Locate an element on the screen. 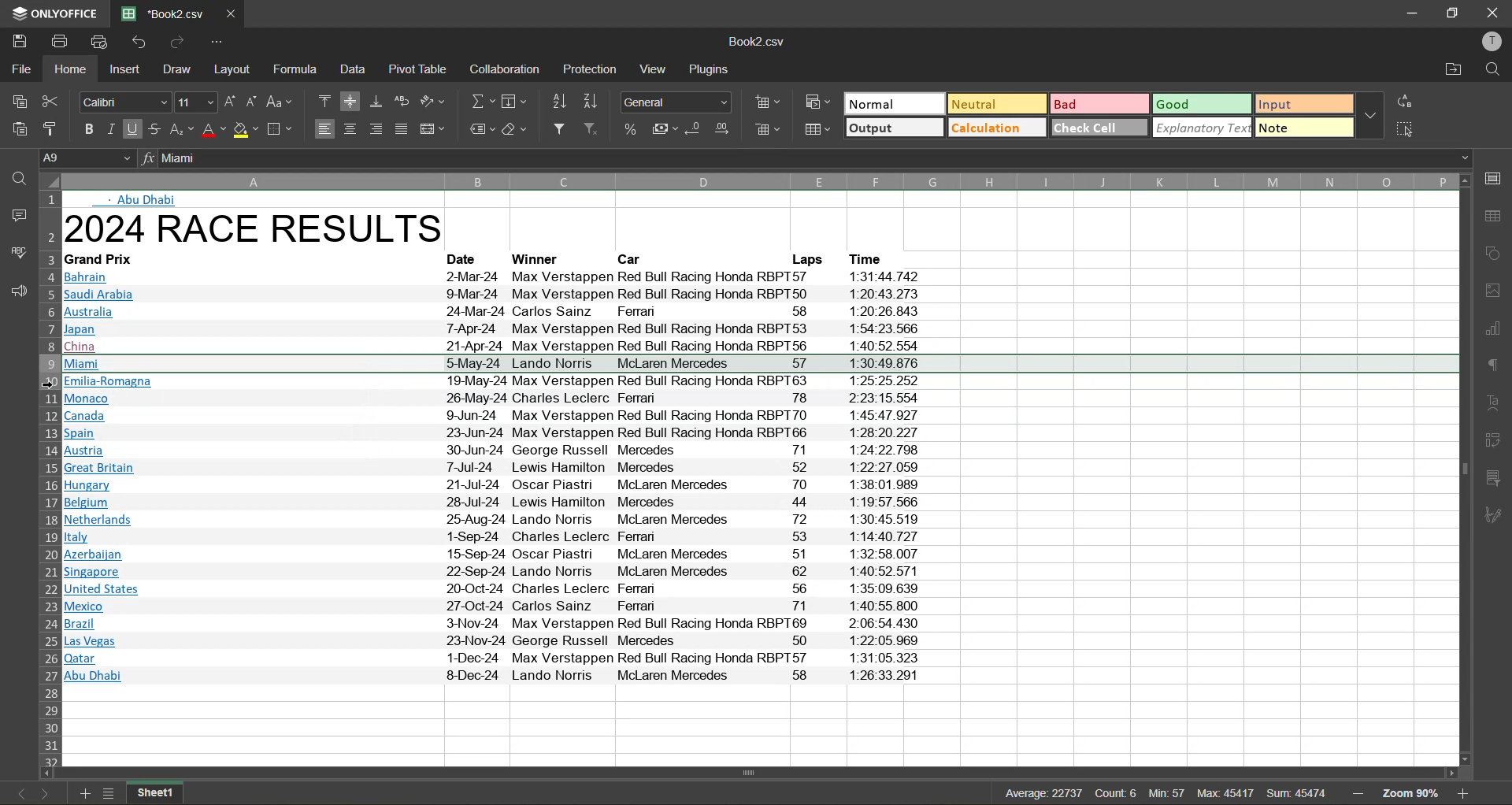 The height and width of the screenshot is (805, 1512). more options is located at coordinates (1371, 116).